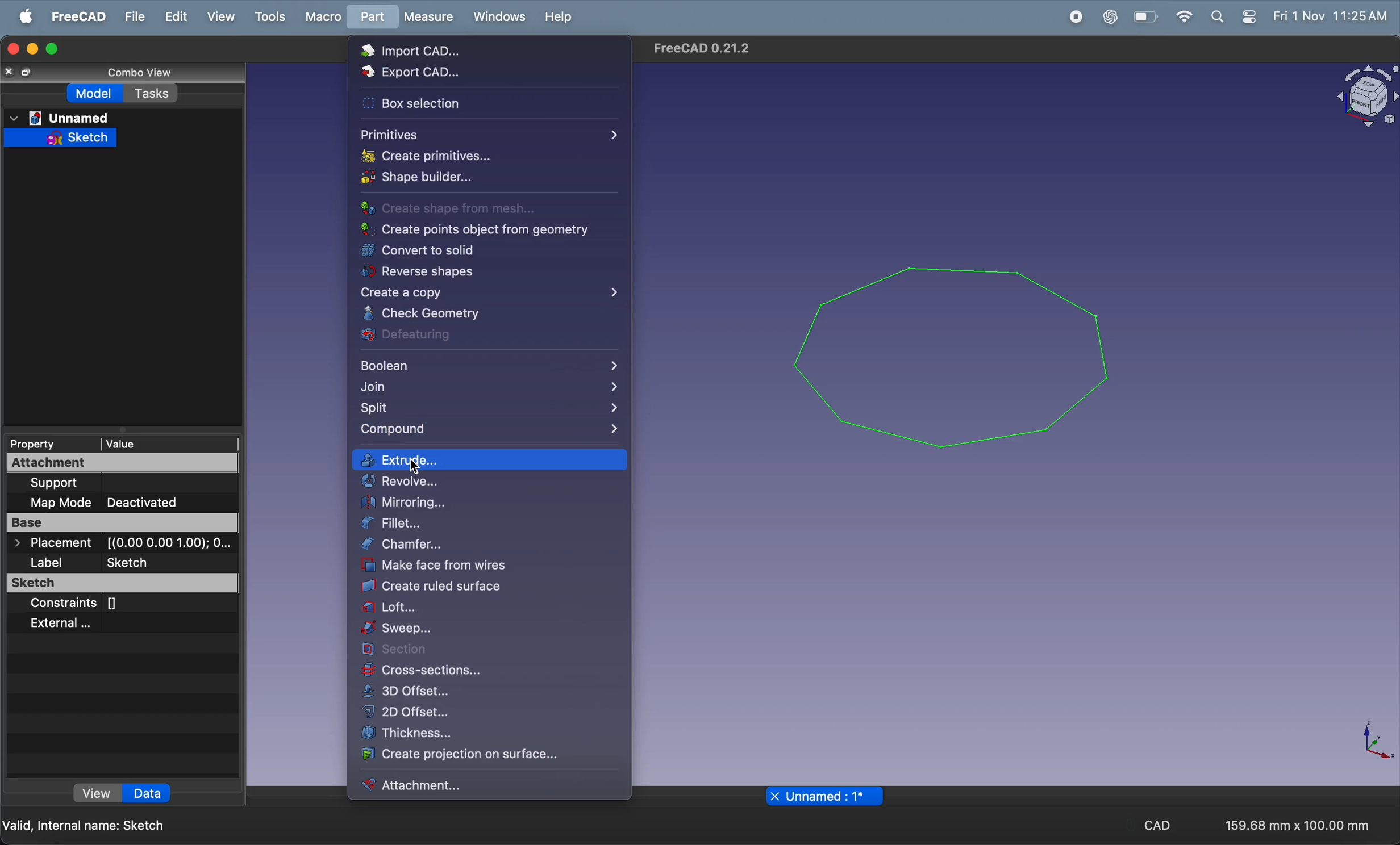 Image resolution: width=1400 pixels, height=845 pixels. What do you see at coordinates (97, 94) in the screenshot?
I see `Model` at bounding box center [97, 94].